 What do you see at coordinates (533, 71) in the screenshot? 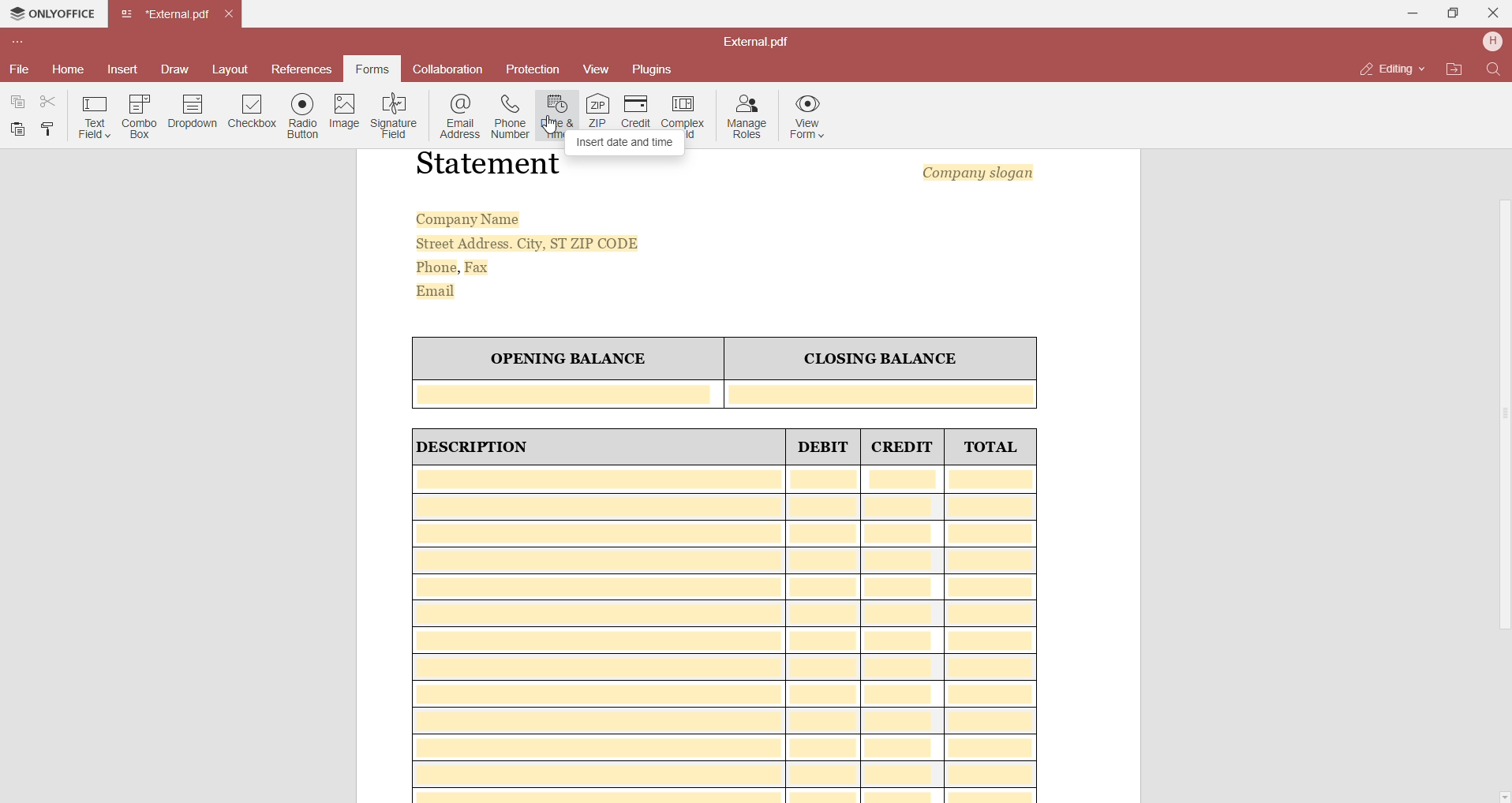
I see `Protection` at bounding box center [533, 71].